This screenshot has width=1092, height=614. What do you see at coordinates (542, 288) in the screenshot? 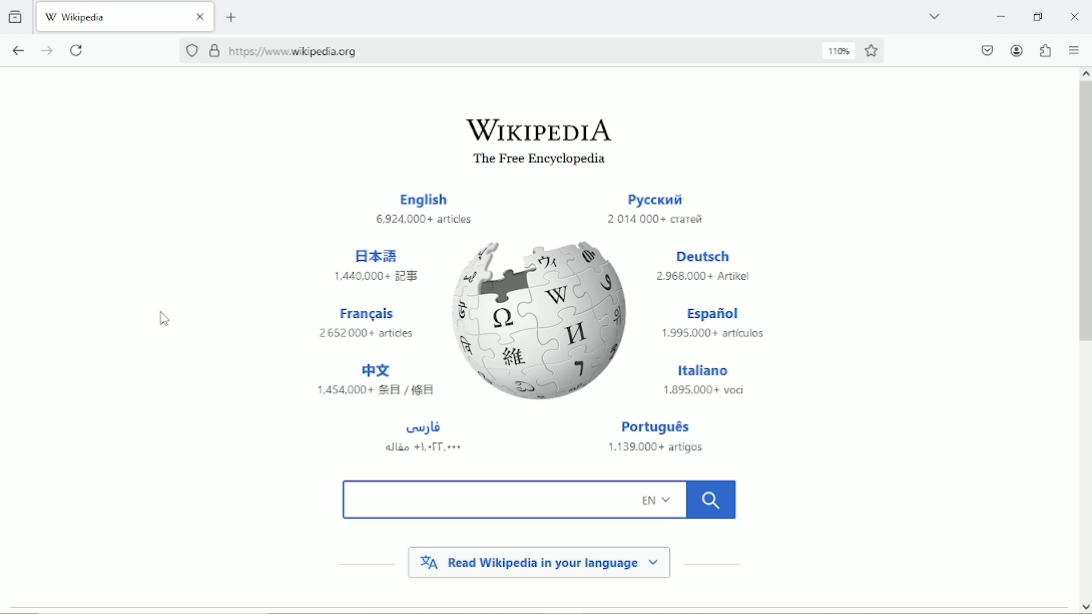
I see `wikipedia` at bounding box center [542, 288].